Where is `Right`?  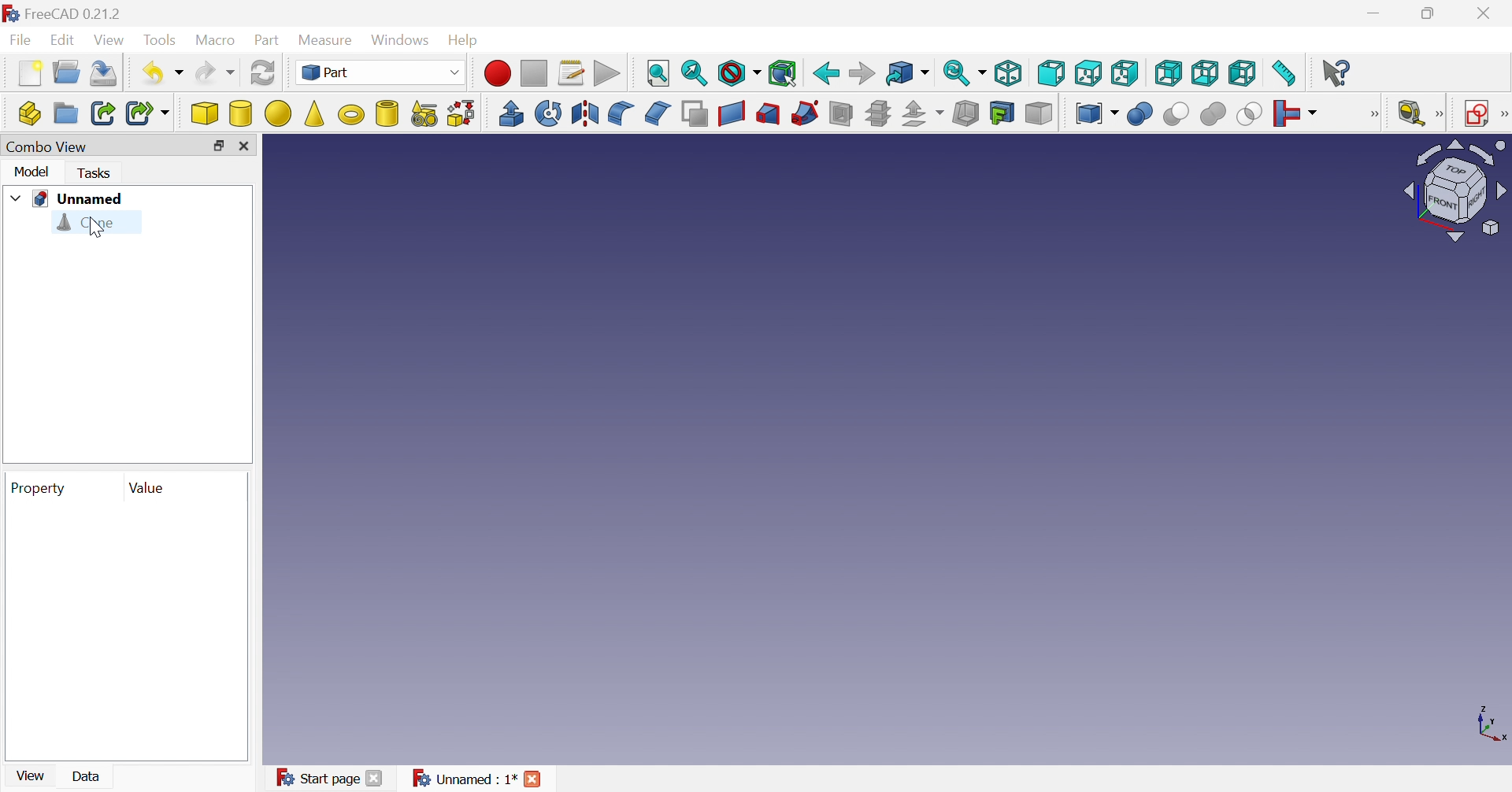 Right is located at coordinates (1125, 73).